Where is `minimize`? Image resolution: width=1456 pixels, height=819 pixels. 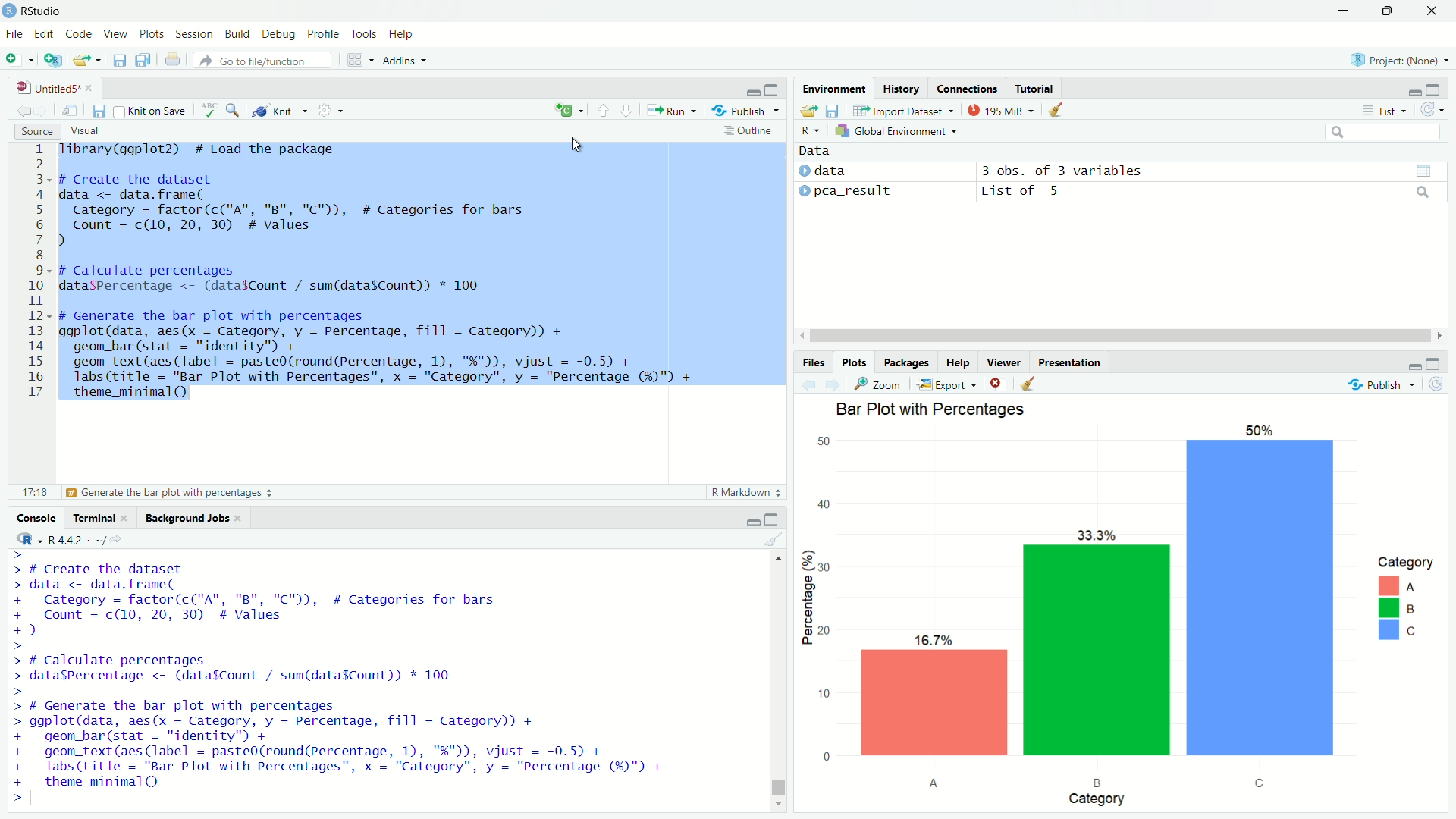 minimize is located at coordinates (1343, 10).